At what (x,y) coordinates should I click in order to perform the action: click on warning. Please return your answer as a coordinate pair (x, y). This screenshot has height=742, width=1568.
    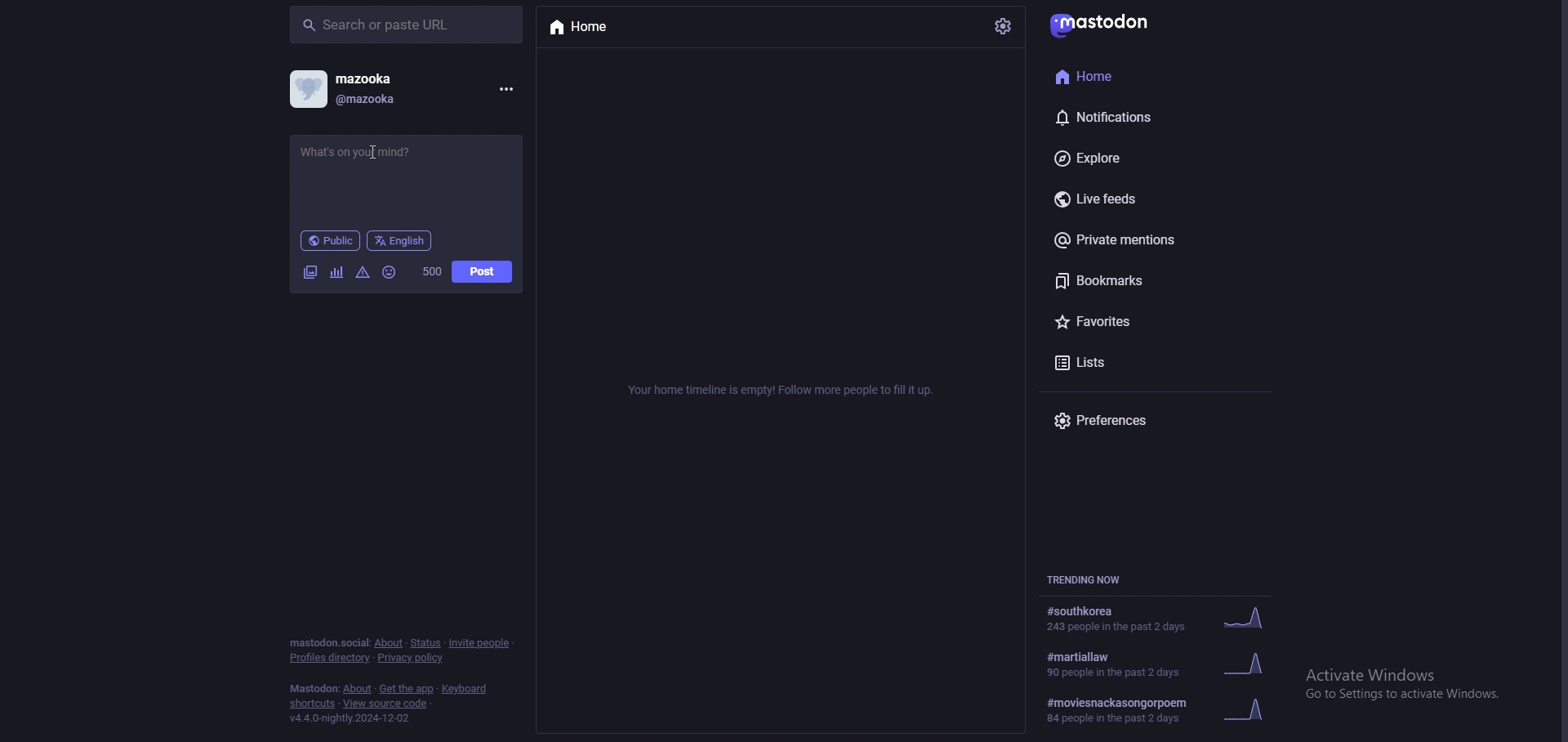
    Looking at the image, I should click on (363, 273).